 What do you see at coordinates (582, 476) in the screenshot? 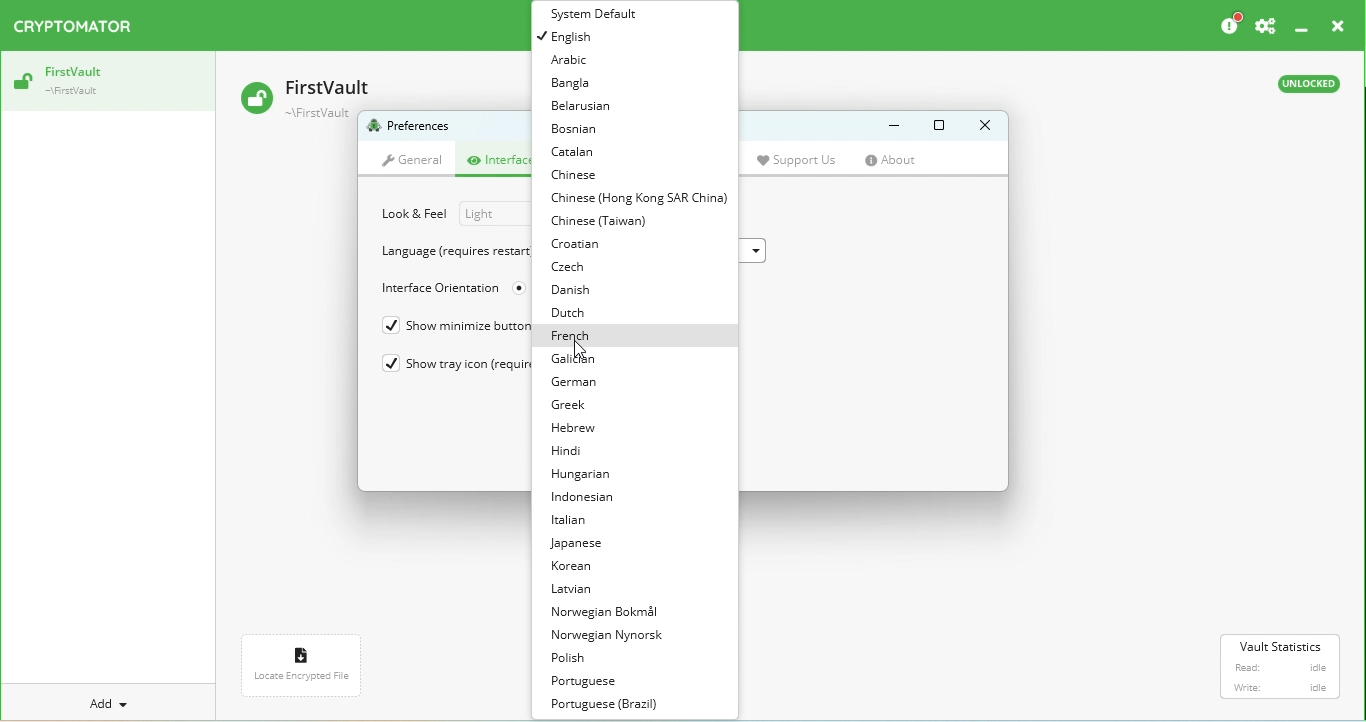
I see `Hungarian` at bounding box center [582, 476].